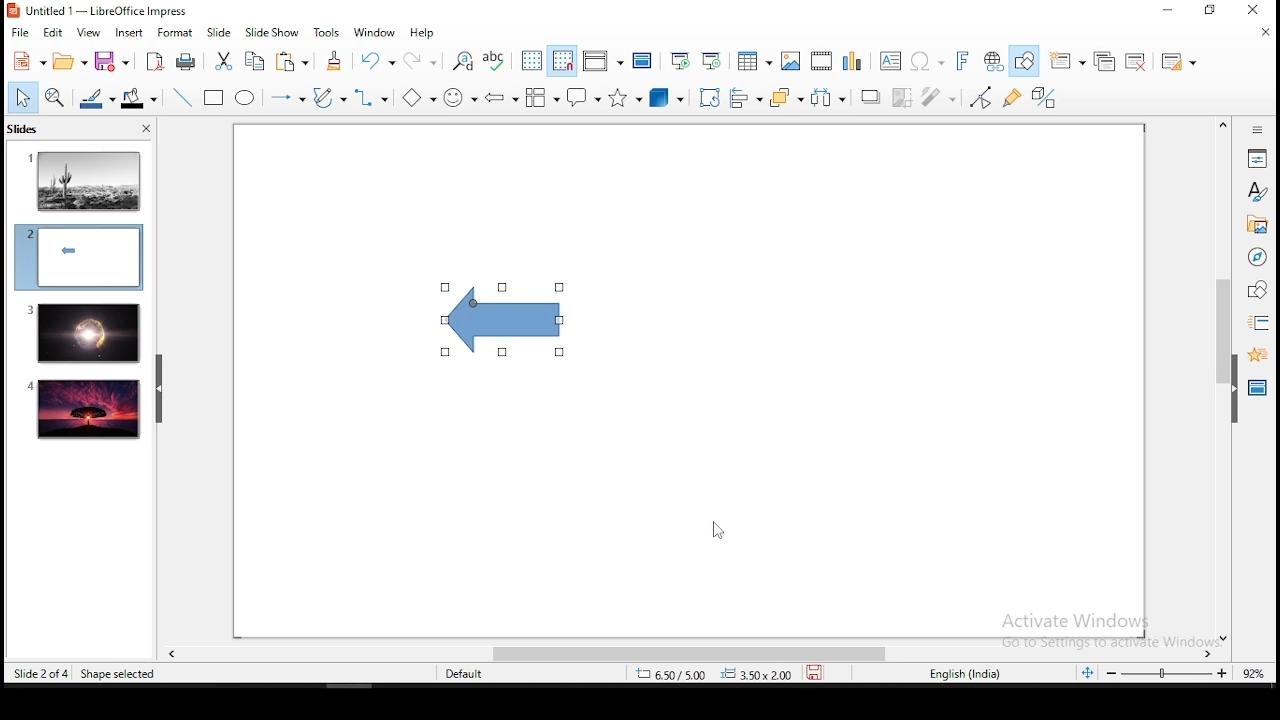 This screenshot has width=1280, height=720. What do you see at coordinates (295, 61) in the screenshot?
I see `paste` at bounding box center [295, 61].